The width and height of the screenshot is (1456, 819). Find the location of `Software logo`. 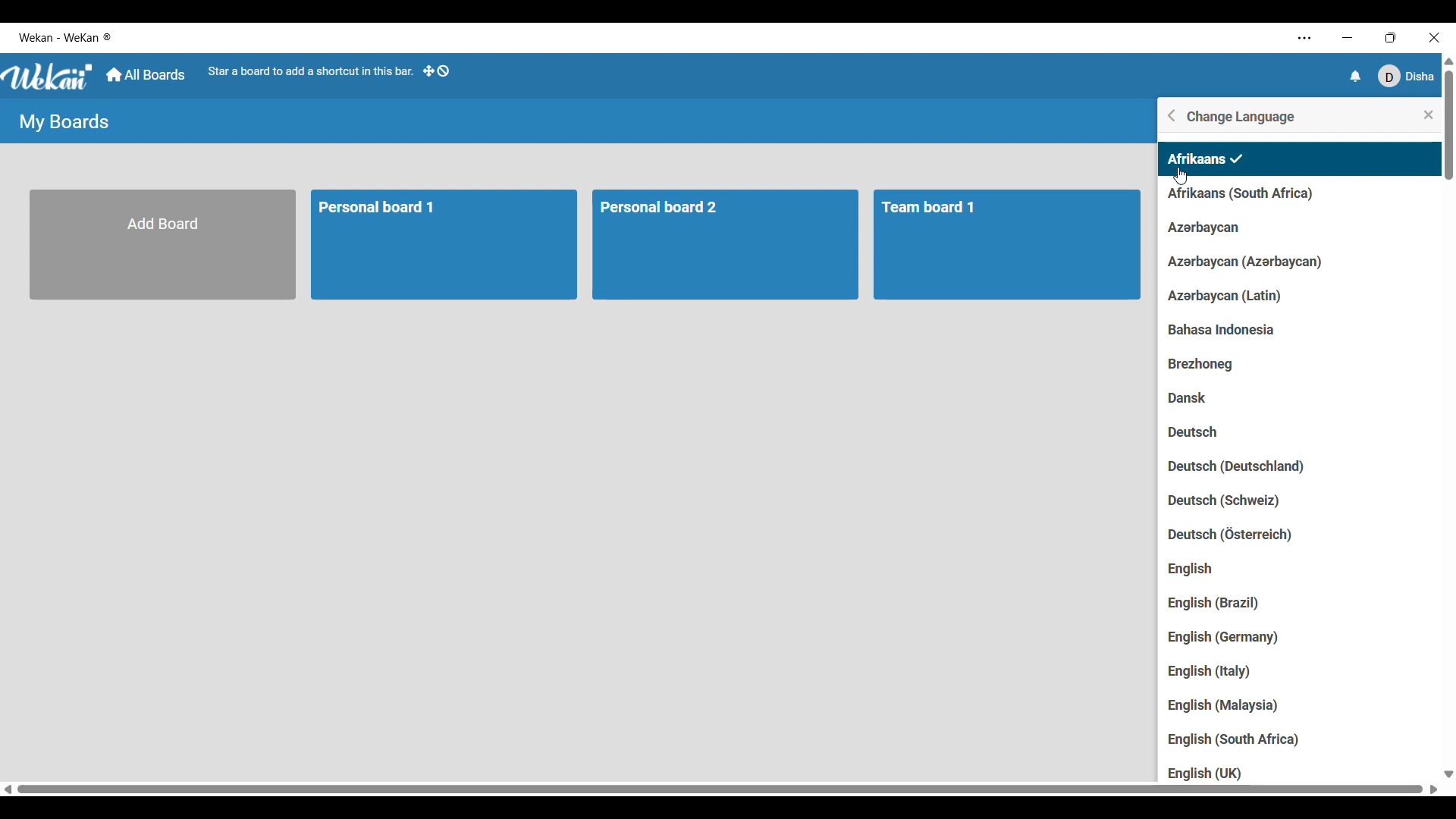

Software logo is located at coordinates (49, 77).